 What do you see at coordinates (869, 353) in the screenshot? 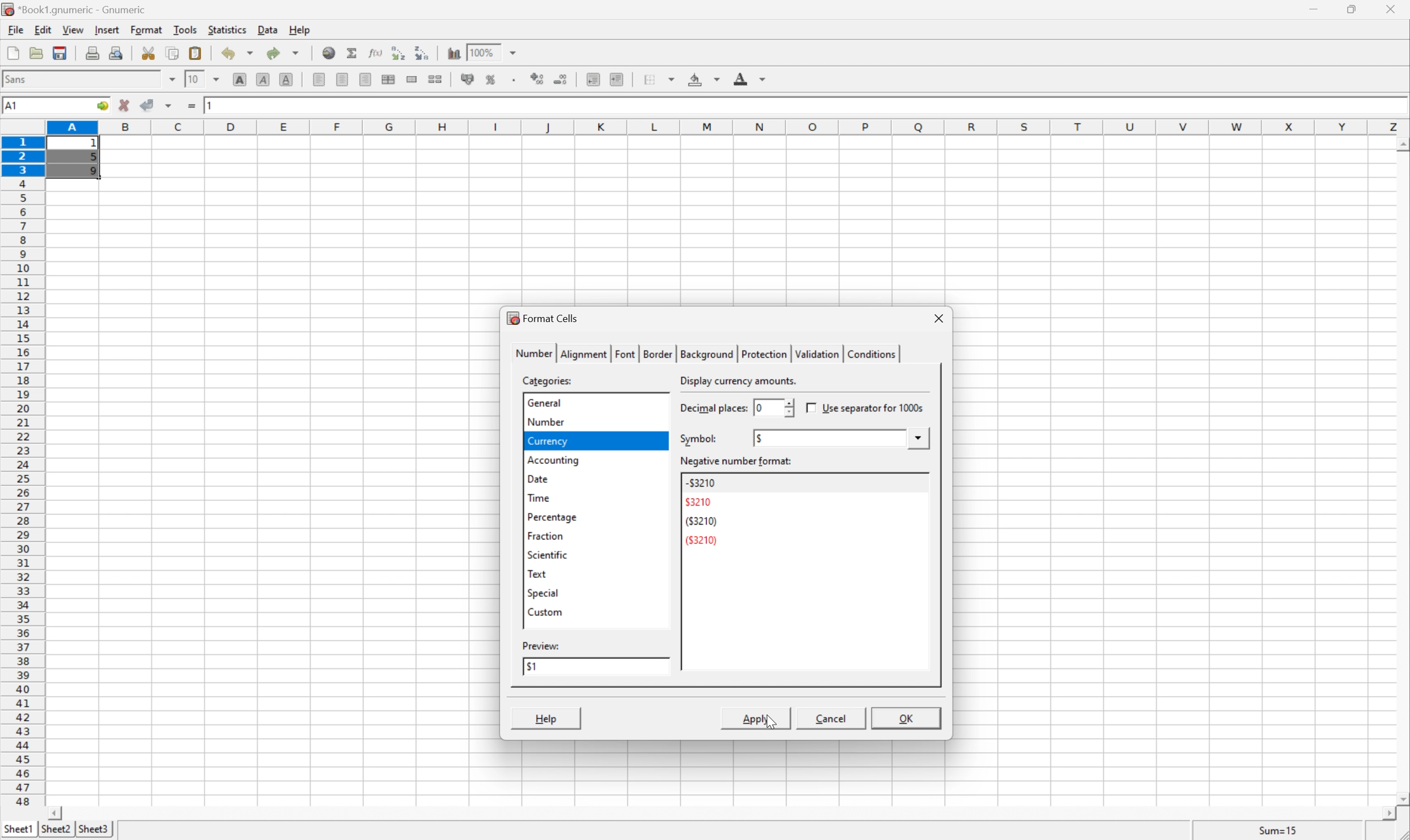
I see `conditions` at bounding box center [869, 353].